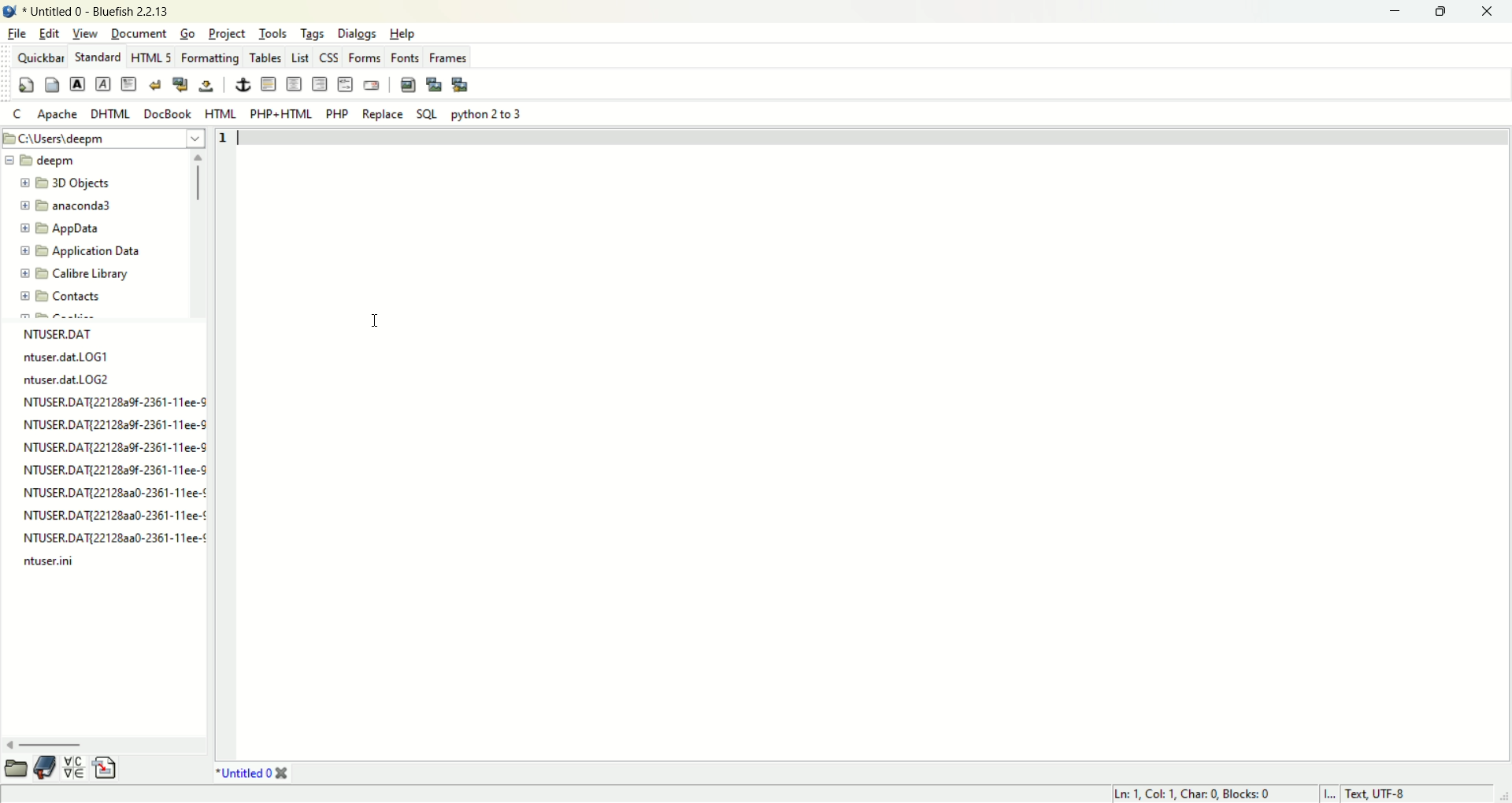 This screenshot has width=1512, height=803. What do you see at coordinates (68, 273) in the screenshot?
I see `calibre` at bounding box center [68, 273].